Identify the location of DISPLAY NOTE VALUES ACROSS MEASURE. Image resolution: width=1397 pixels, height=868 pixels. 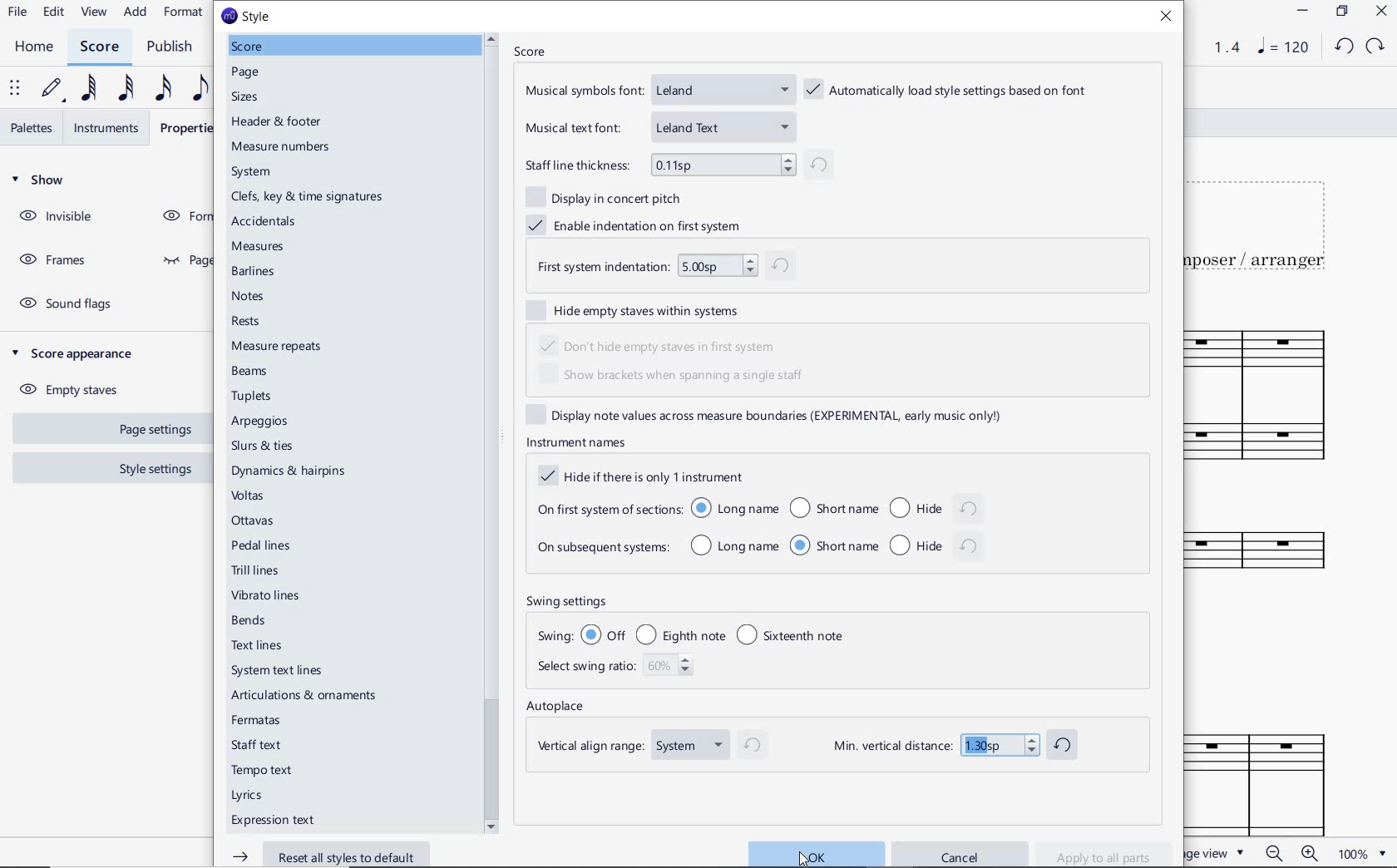
(775, 415).